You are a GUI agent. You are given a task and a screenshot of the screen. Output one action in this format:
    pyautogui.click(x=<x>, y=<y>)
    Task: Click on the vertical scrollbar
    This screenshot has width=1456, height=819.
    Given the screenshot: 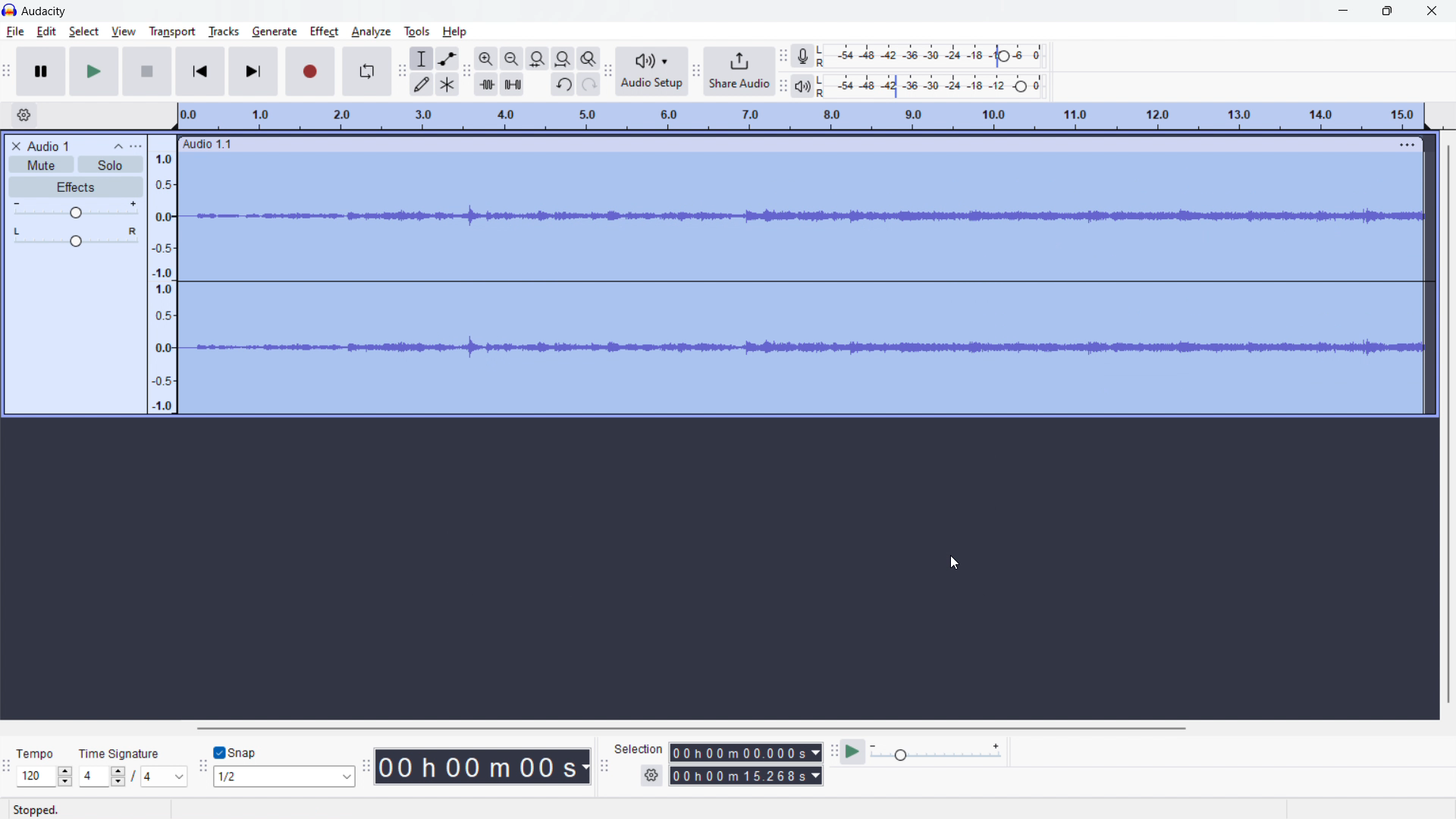 What is the action you would take?
    pyautogui.click(x=1449, y=419)
    